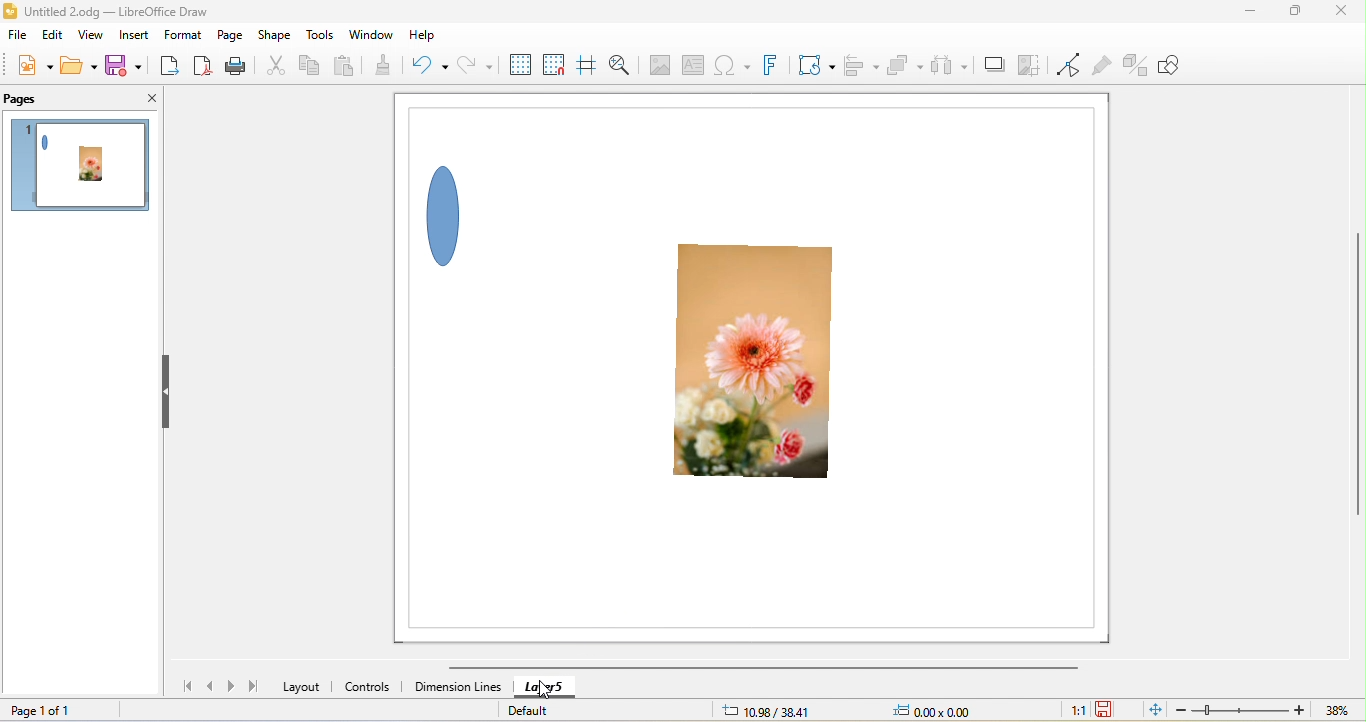 This screenshot has width=1366, height=722. Describe the element at coordinates (767, 710) in the screenshot. I see `10.98/38.41` at that location.